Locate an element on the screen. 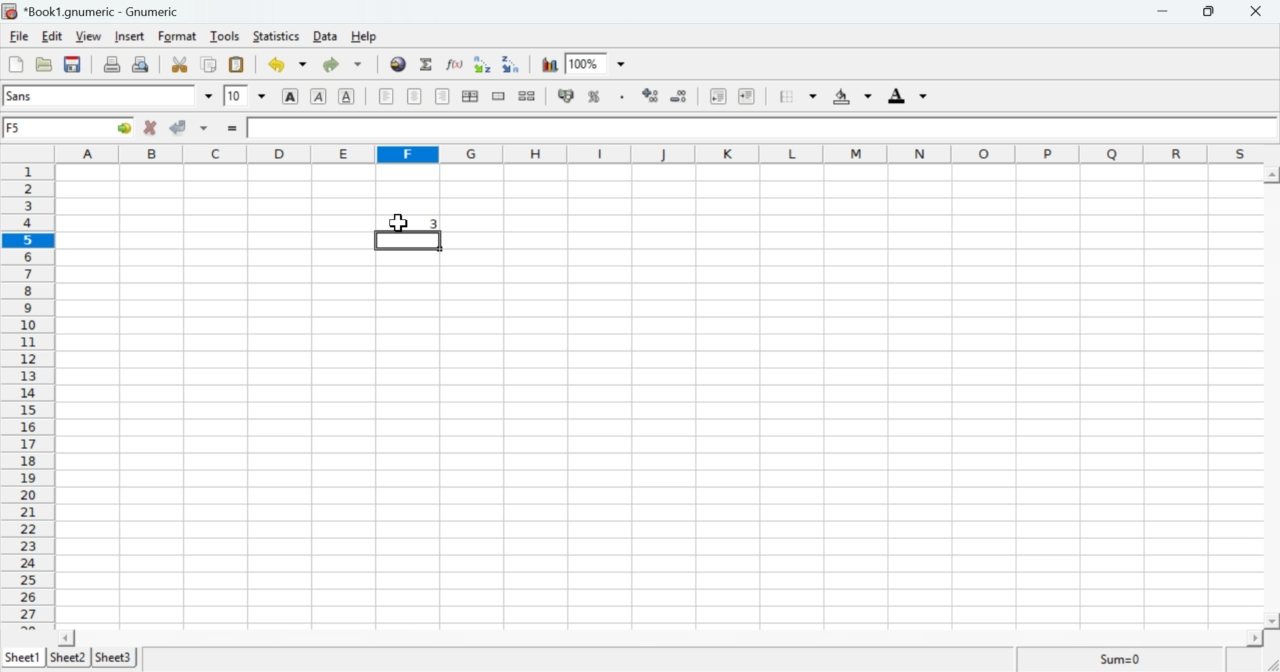 This screenshot has height=672, width=1280. Zoom is located at coordinates (583, 61).